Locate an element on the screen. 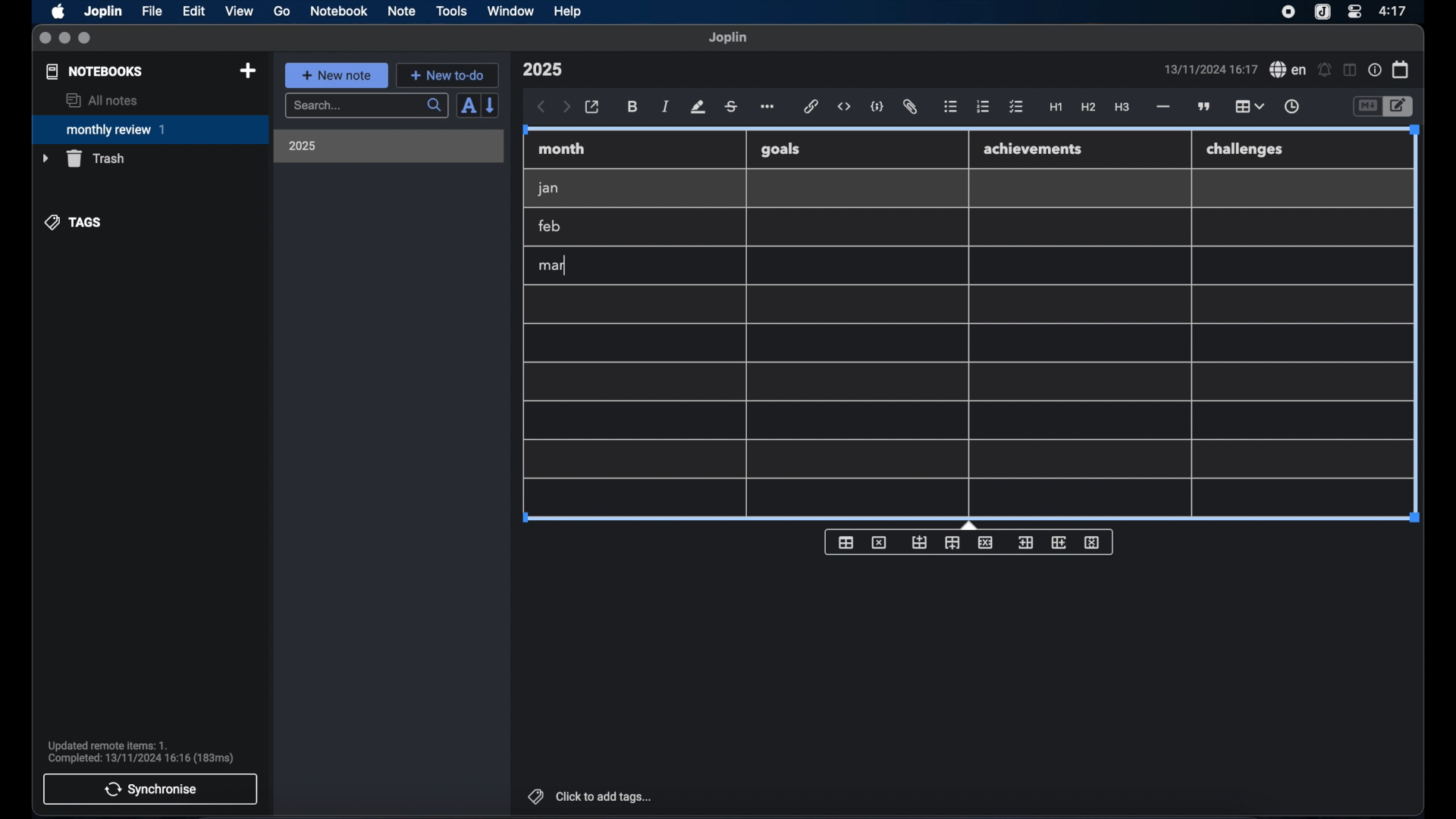 This screenshot has width=1456, height=819. horizontal rule is located at coordinates (1162, 107).